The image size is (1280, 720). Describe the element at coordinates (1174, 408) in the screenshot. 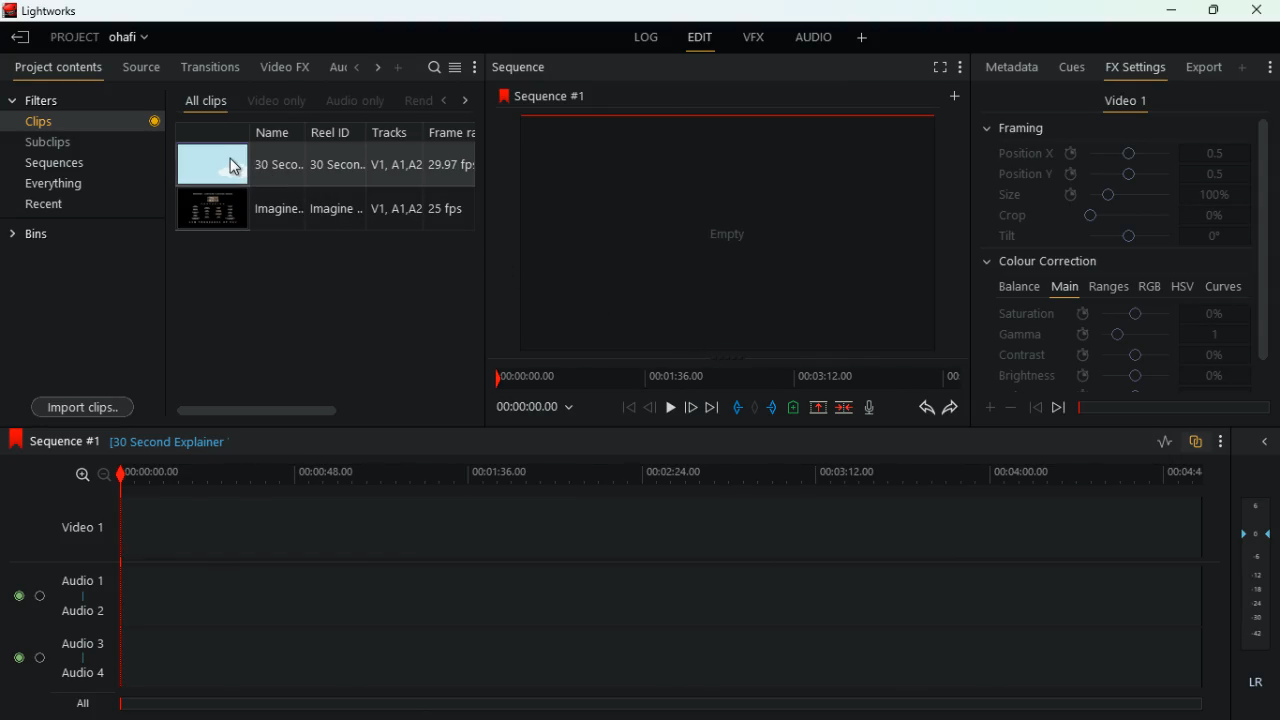

I see `time frame` at that location.